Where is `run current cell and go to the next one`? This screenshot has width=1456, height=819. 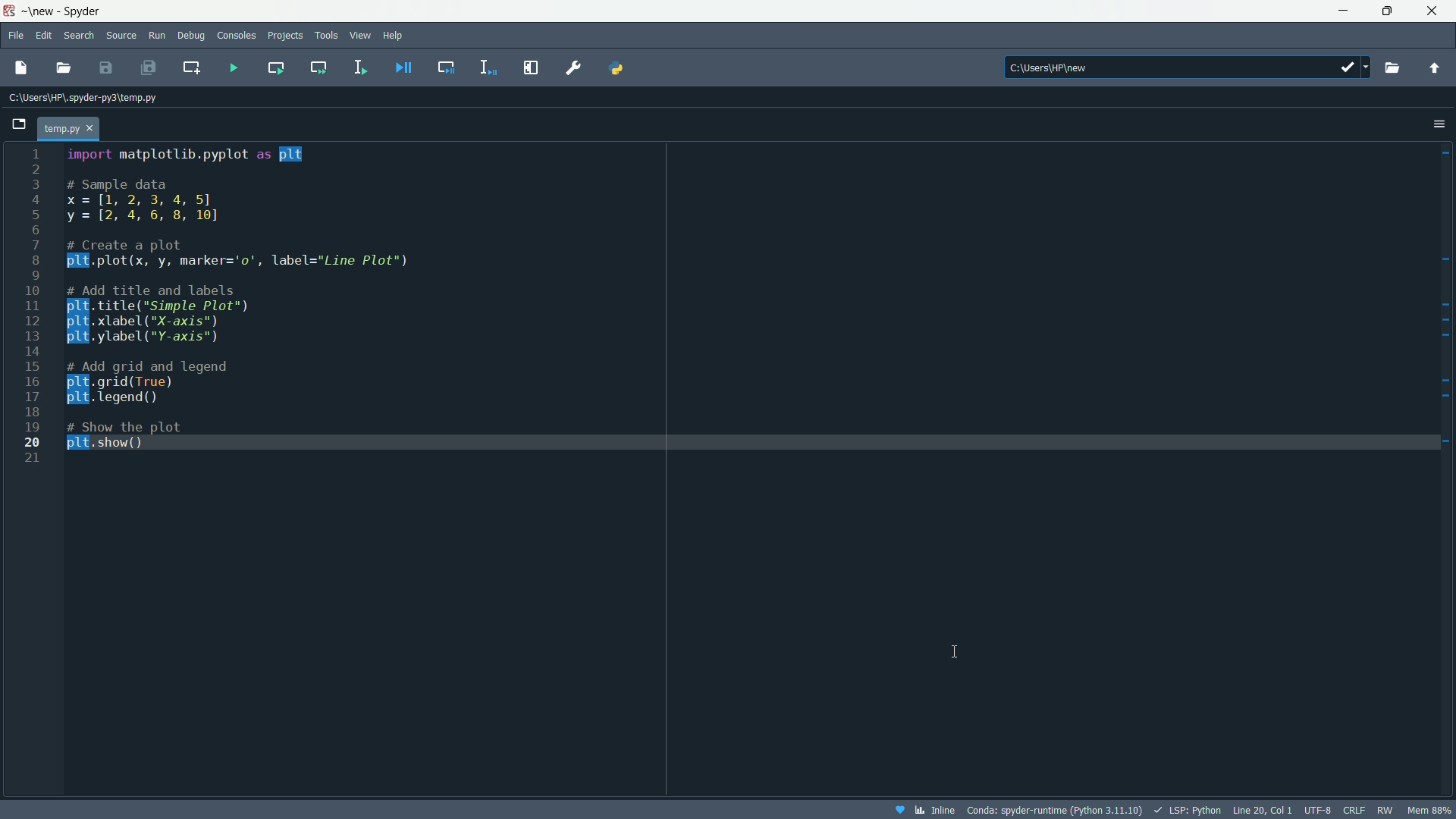
run current cell and go to the next one is located at coordinates (319, 67).